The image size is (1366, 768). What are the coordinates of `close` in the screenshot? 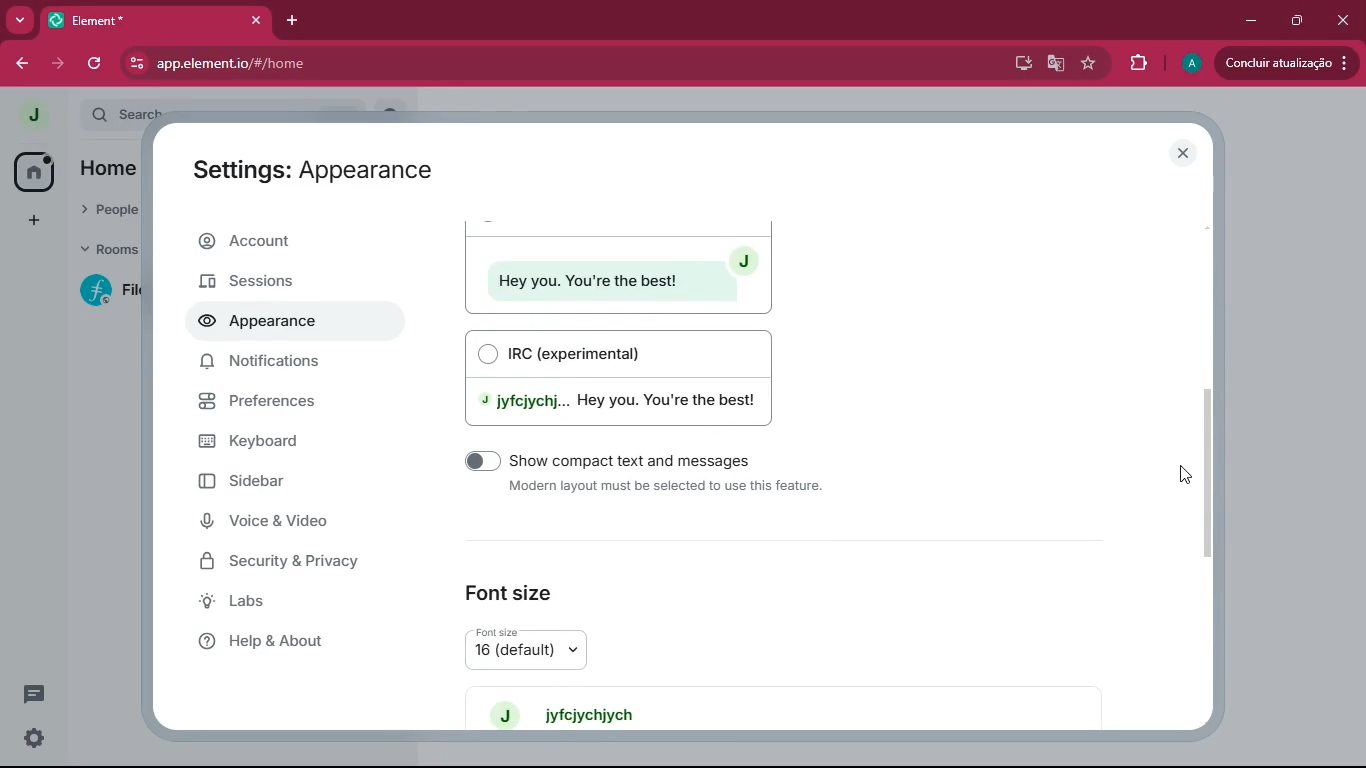 It's located at (1344, 15).